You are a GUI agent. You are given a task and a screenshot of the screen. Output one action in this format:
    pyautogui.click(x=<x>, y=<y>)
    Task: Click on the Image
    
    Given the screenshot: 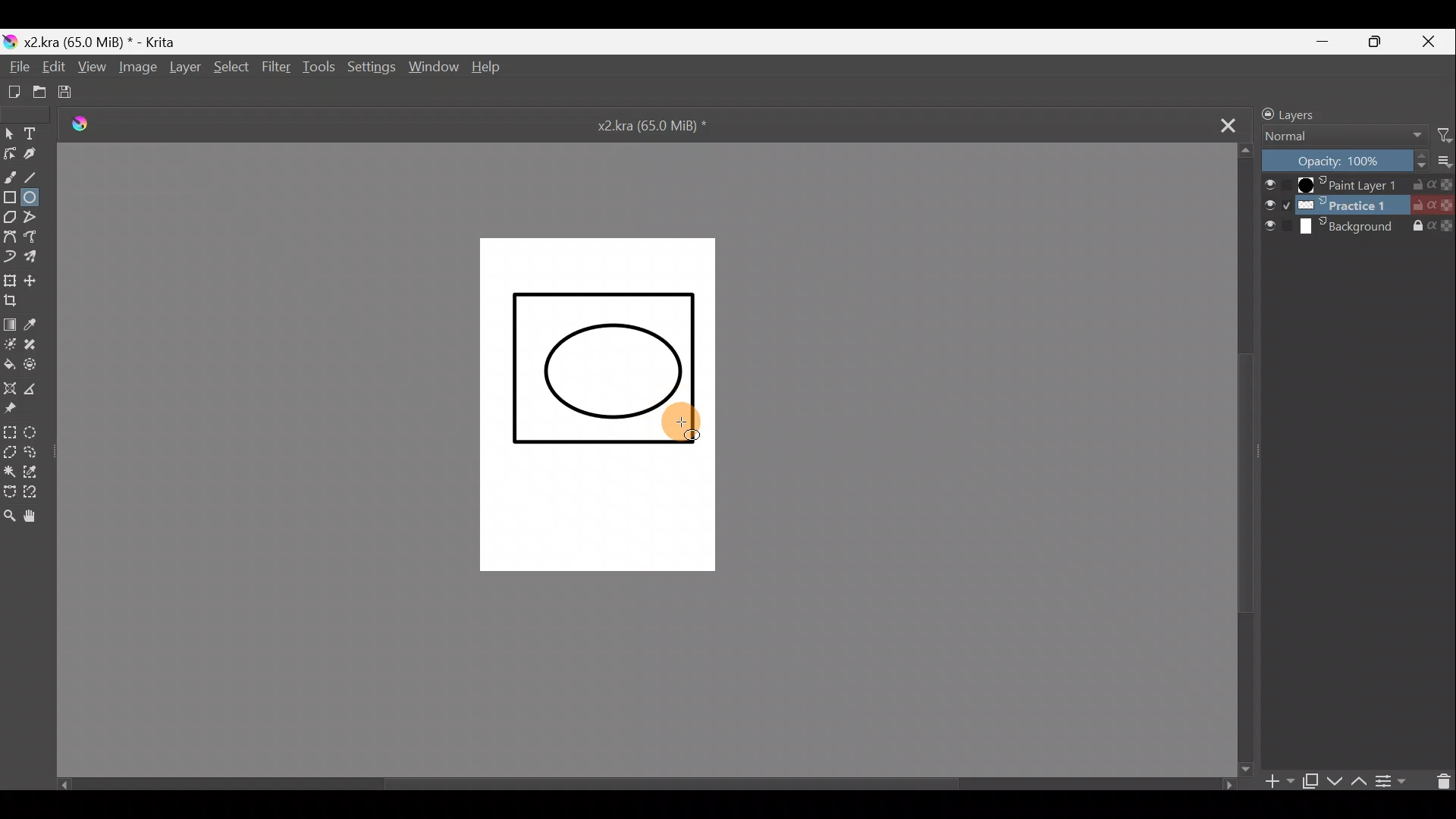 What is the action you would take?
    pyautogui.click(x=139, y=69)
    